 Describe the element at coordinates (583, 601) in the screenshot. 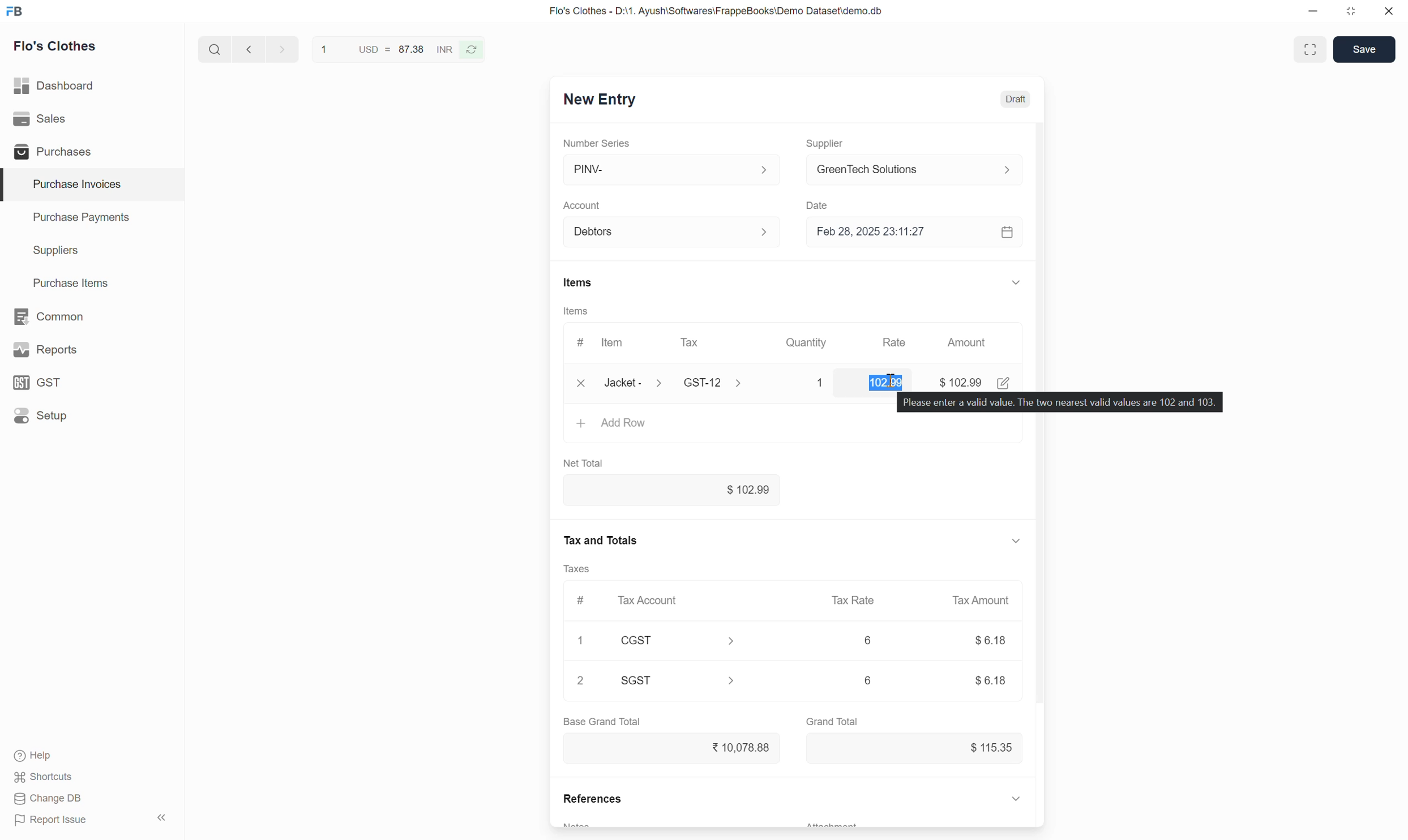

I see `#` at that location.